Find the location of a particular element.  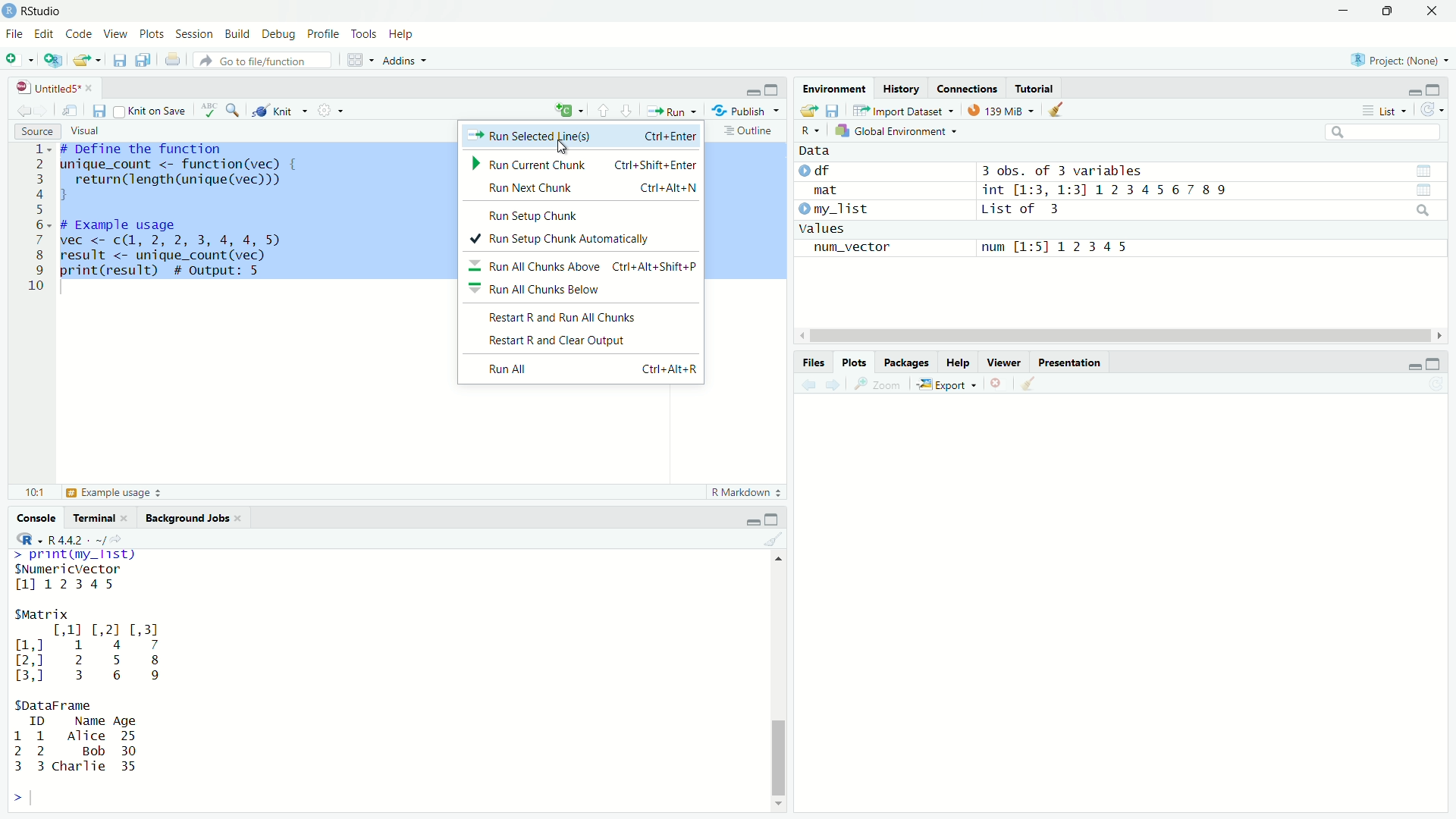

back is located at coordinates (26, 110).